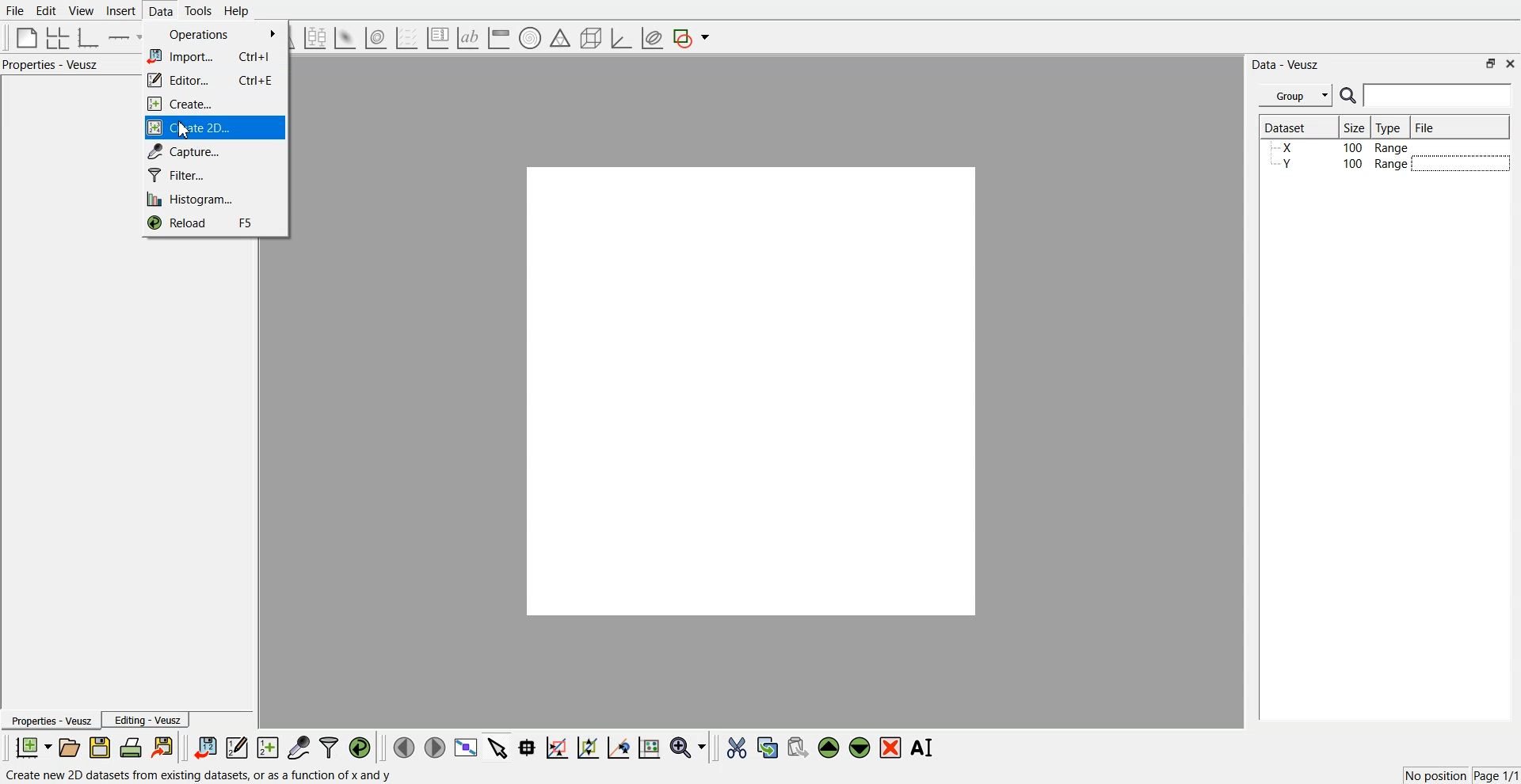  What do you see at coordinates (1355, 127) in the screenshot?
I see `Size` at bounding box center [1355, 127].